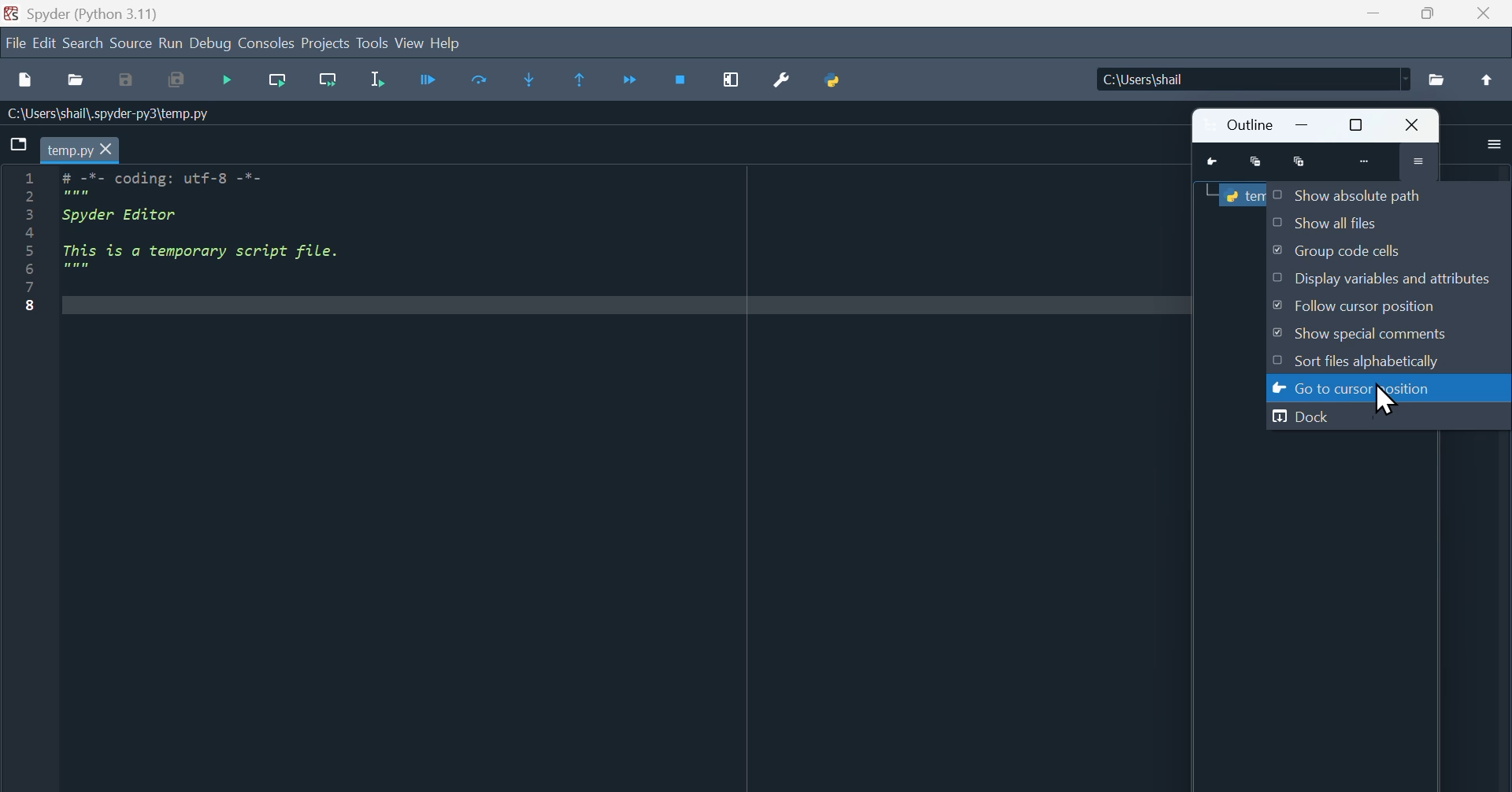 This screenshot has width=1512, height=792. What do you see at coordinates (1417, 160) in the screenshot?
I see `More options` at bounding box center [1417, 160].